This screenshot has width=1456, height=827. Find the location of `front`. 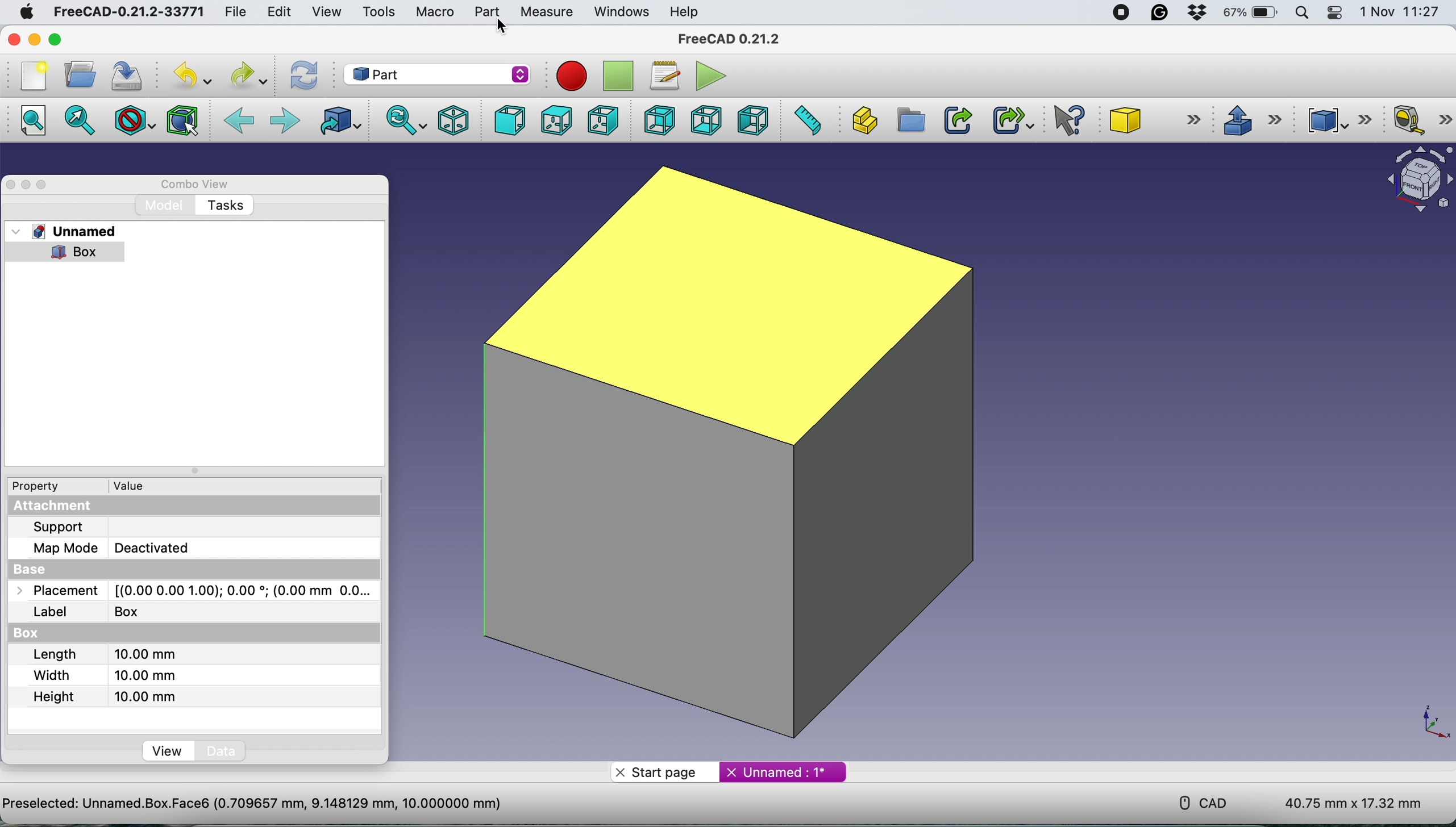

front is located at coordinates (510, 119).